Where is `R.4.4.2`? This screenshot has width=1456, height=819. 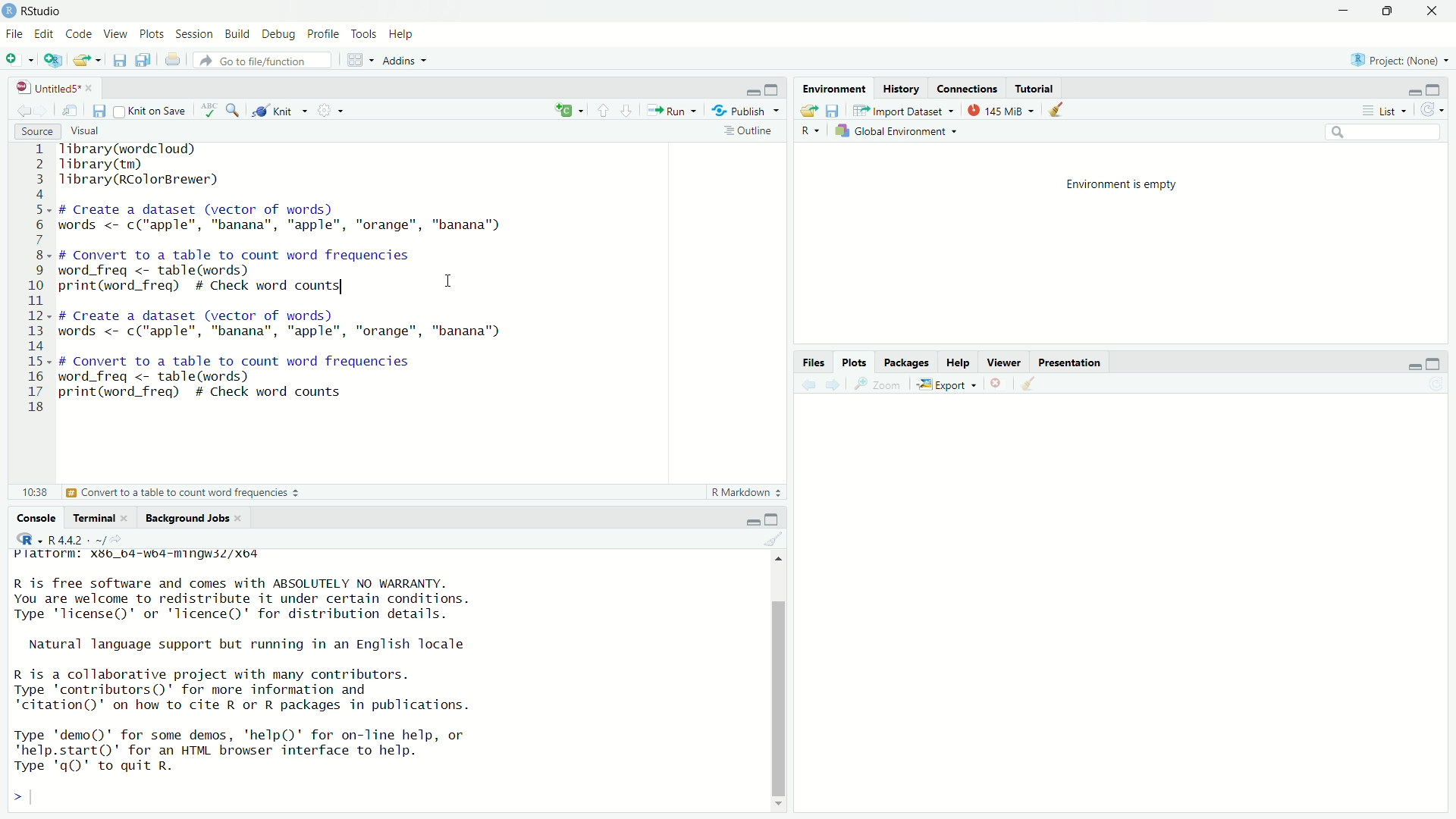 R.4.4.2 is located at coordinates (62, 539).